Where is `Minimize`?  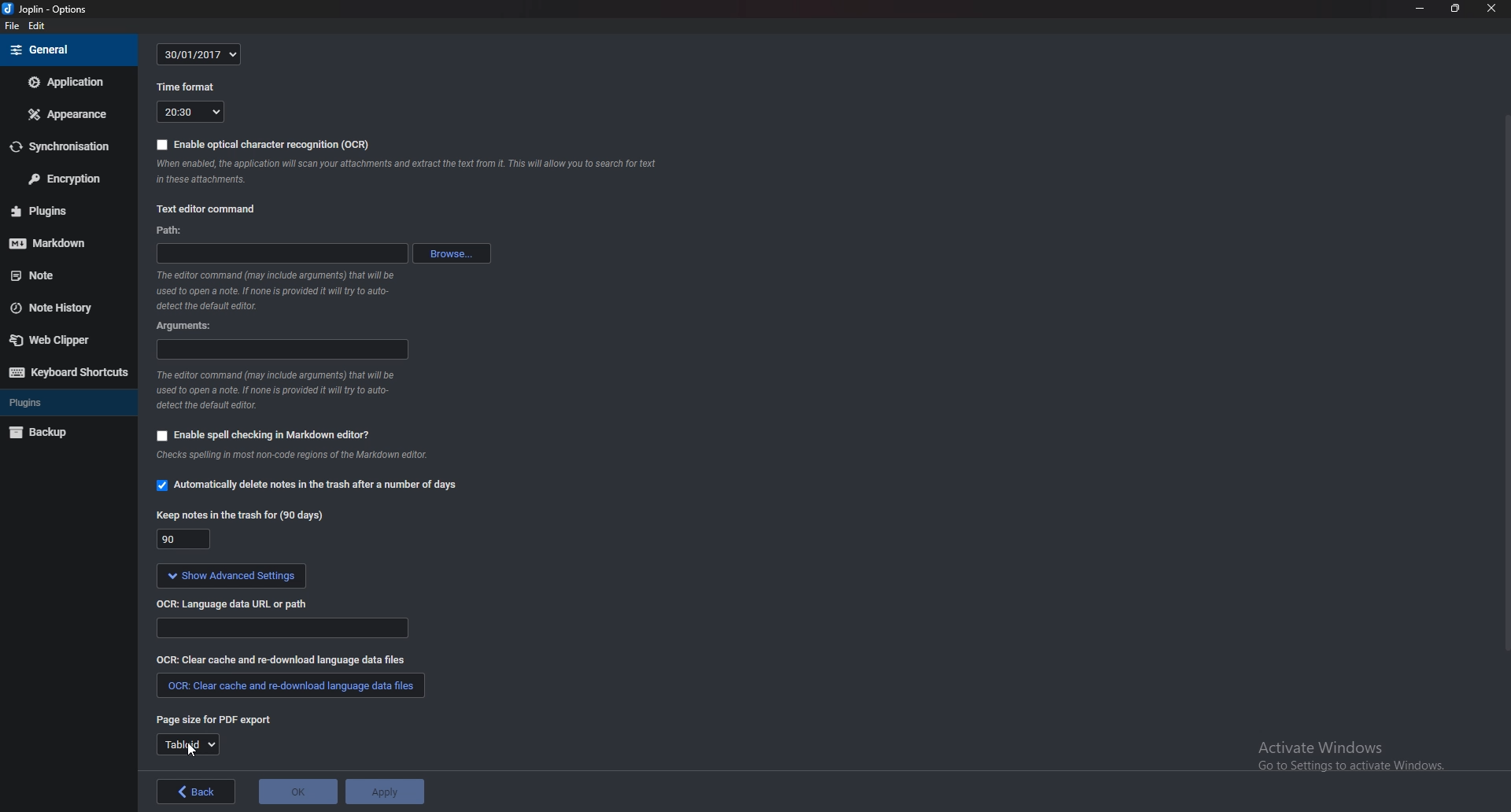 Minimize is located at coordinates (1421, 9).